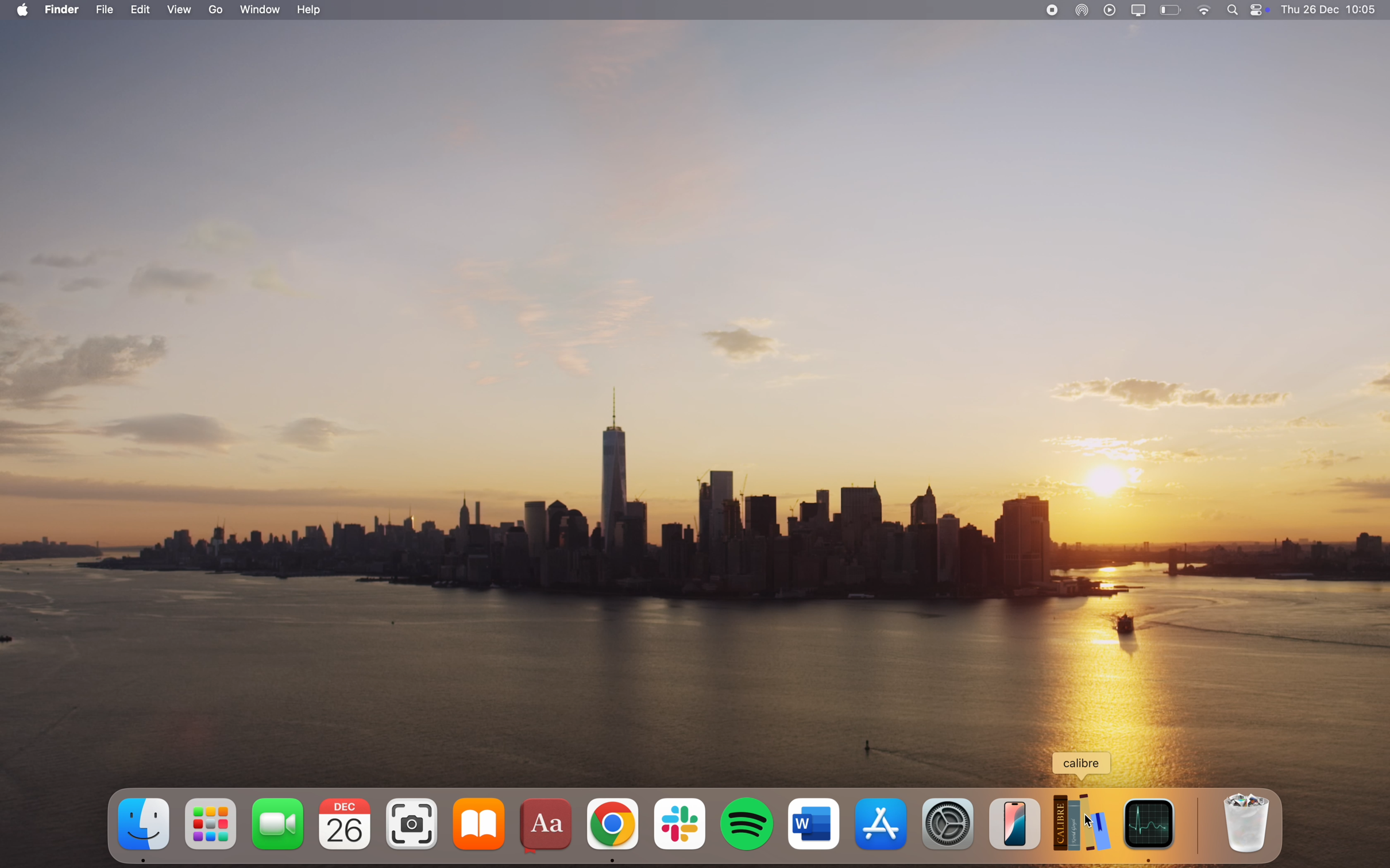  Describe the element at coordinates (612, 827) in the screenshot. I see `Google Chrome` at that location.